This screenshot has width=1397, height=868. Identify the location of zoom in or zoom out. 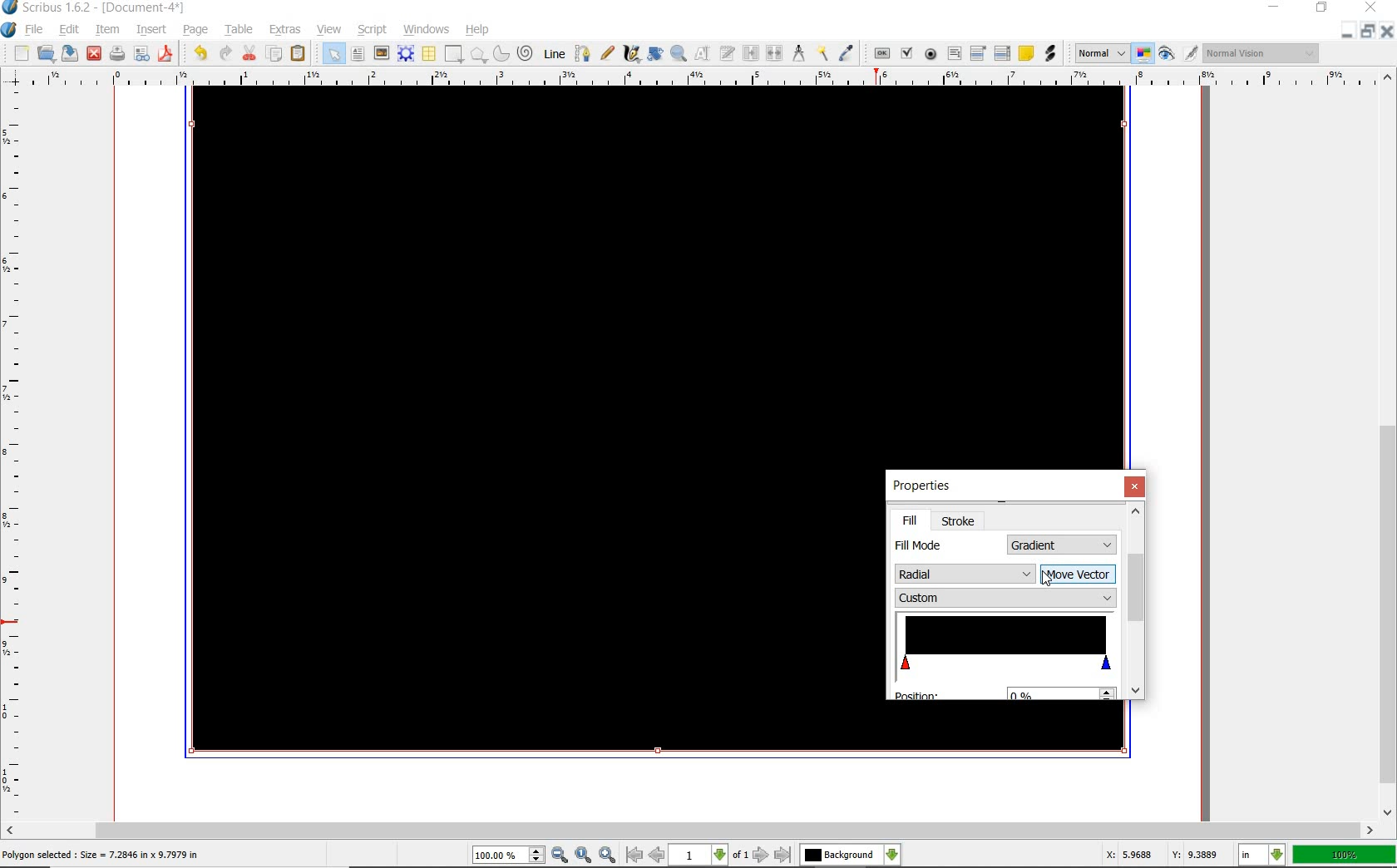
(678, 55).